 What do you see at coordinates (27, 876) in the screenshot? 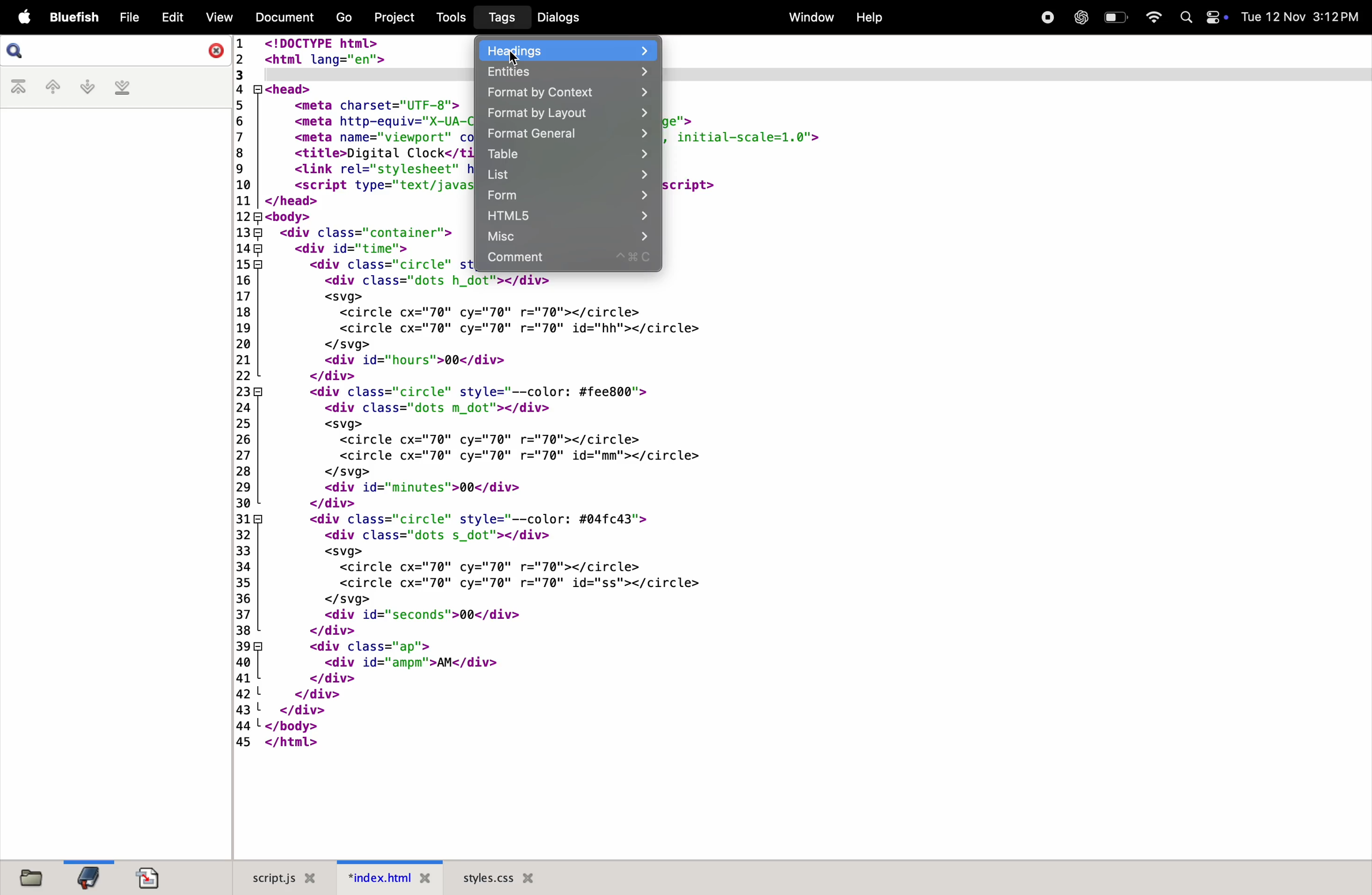
I see `new file` at bounding box center [27, 876].